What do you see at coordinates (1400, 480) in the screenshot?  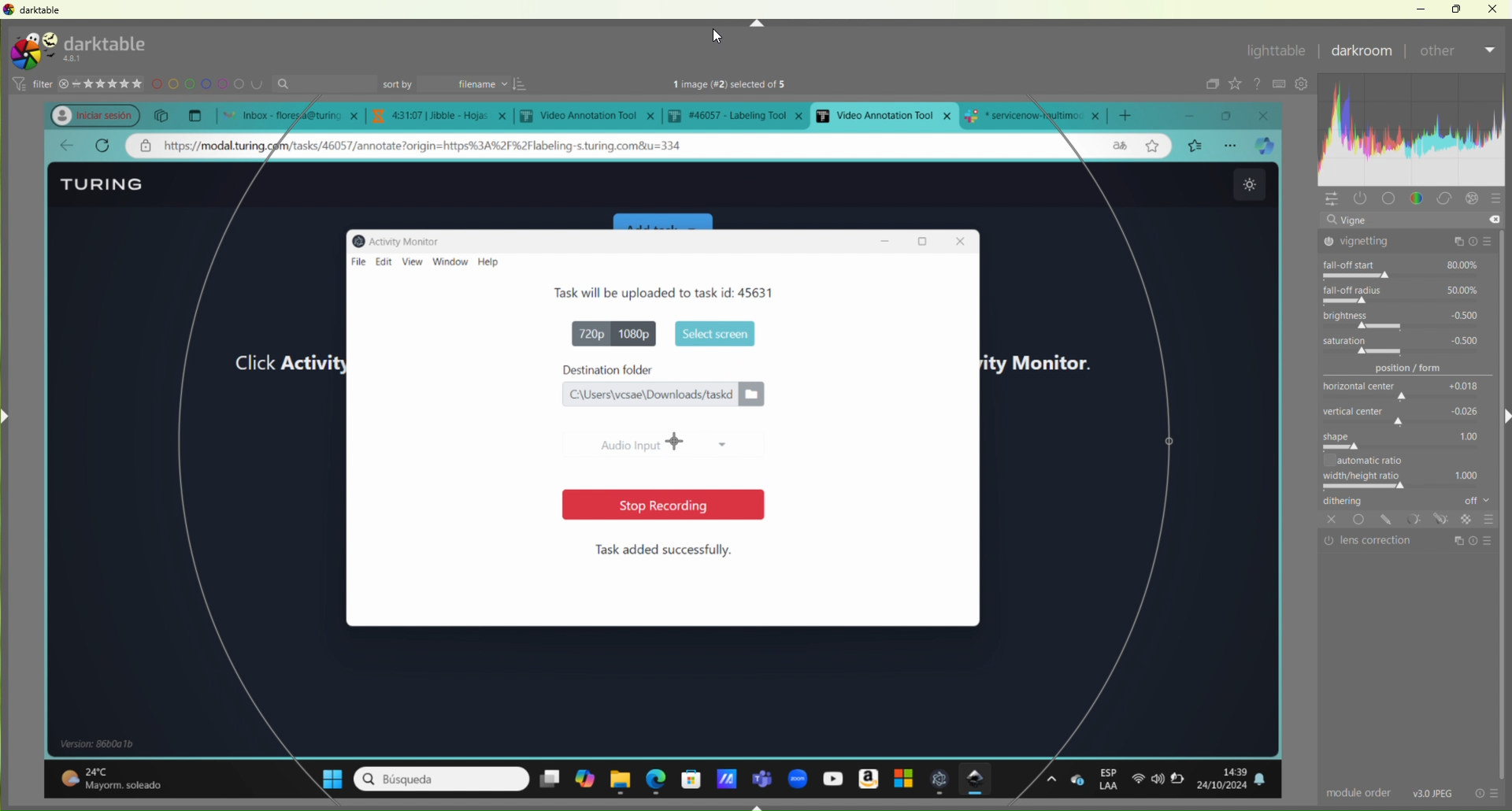 I see `width/height ratio` at bounding box center [1400, 480].